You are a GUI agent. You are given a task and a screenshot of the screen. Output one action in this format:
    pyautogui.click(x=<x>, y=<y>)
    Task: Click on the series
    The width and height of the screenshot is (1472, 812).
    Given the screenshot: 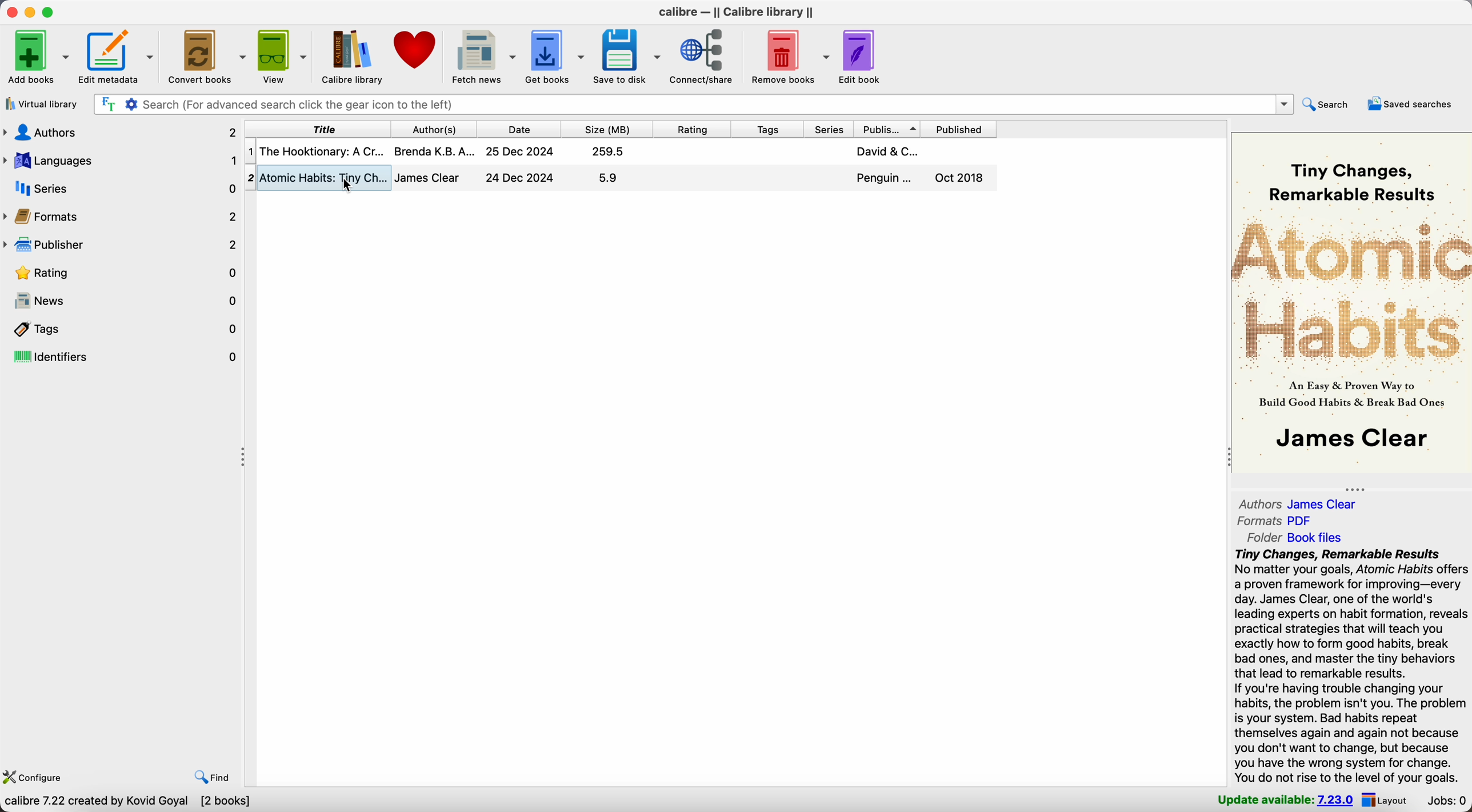 What is the action you would take?
    pyautogui.click(x=827, y=128)
    